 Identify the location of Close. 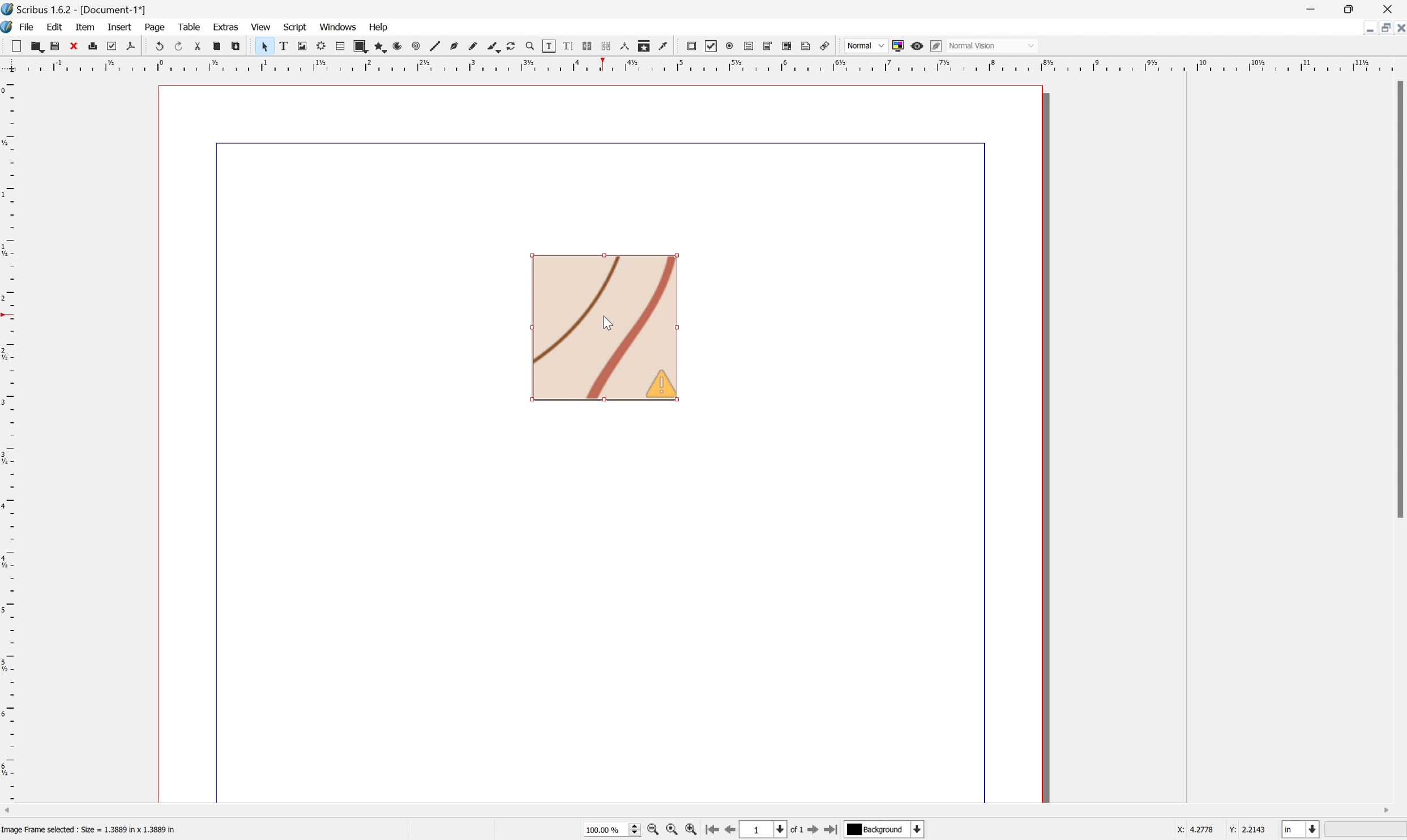
(1390, 9).